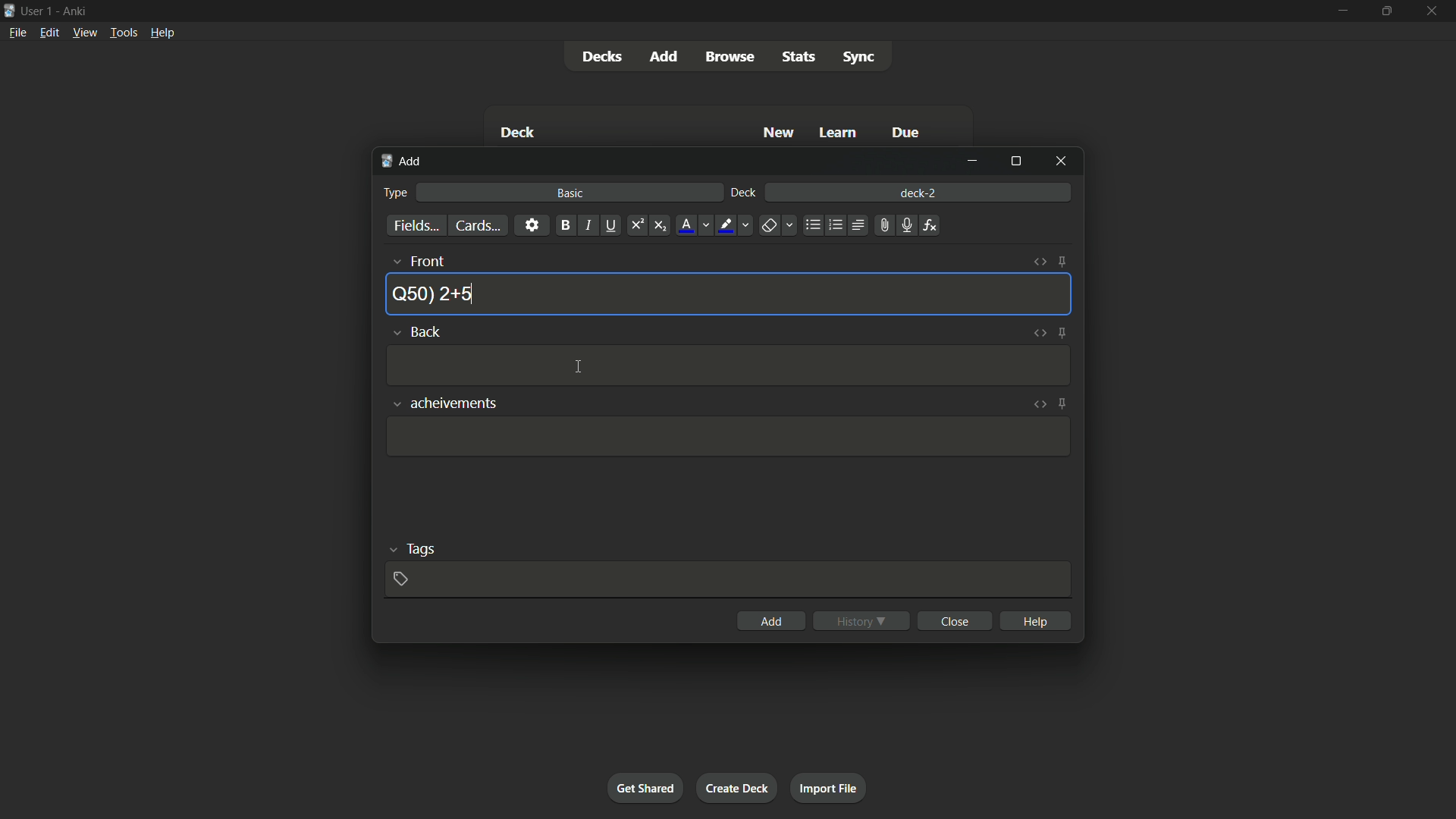  Describe the element at coordinates (1341, 12) in the screenshot. I see `minimize` at that location.